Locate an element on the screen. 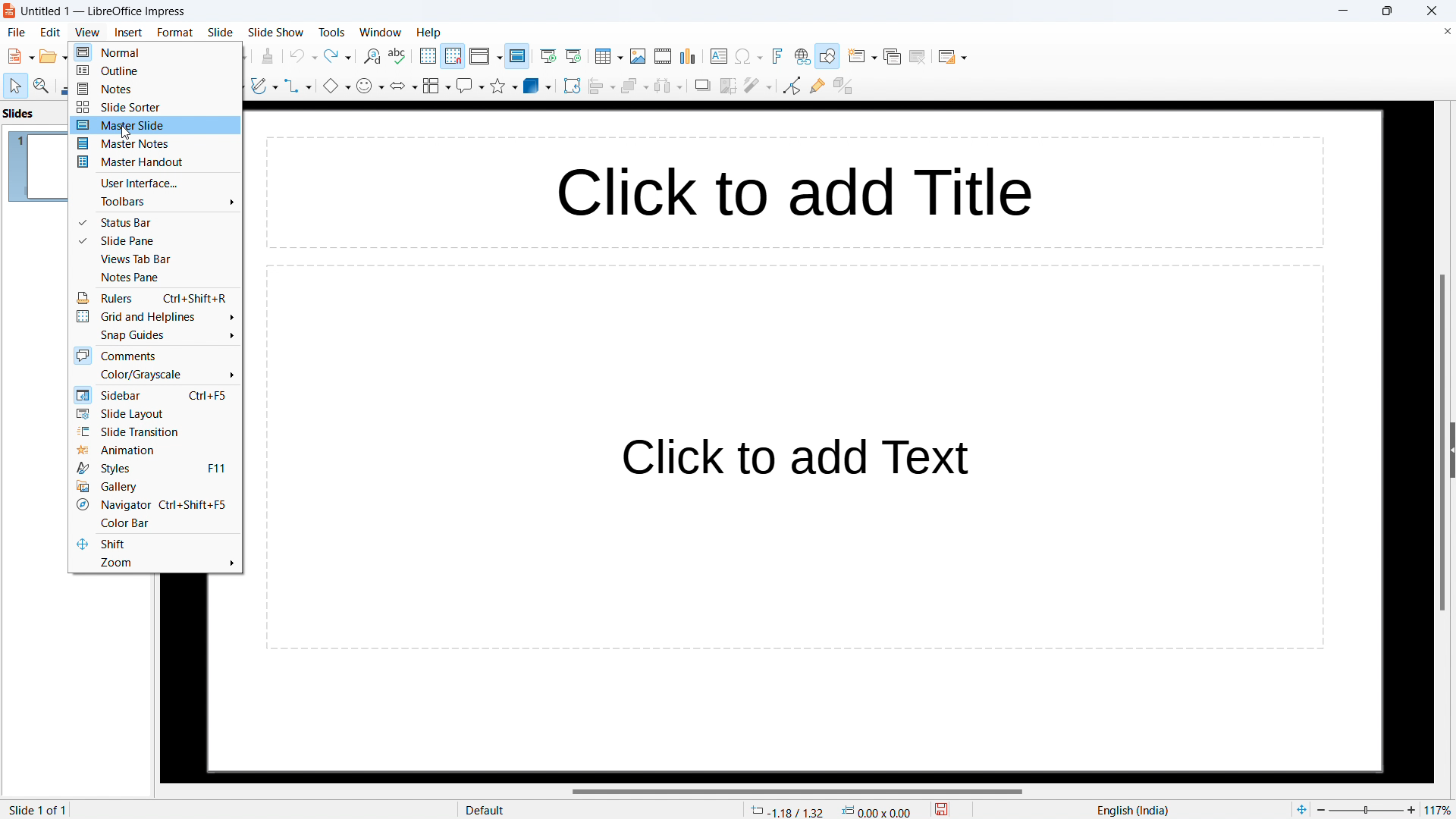 This screenshot has width=1456, height=819. undo is located at coordinates (303, 56).